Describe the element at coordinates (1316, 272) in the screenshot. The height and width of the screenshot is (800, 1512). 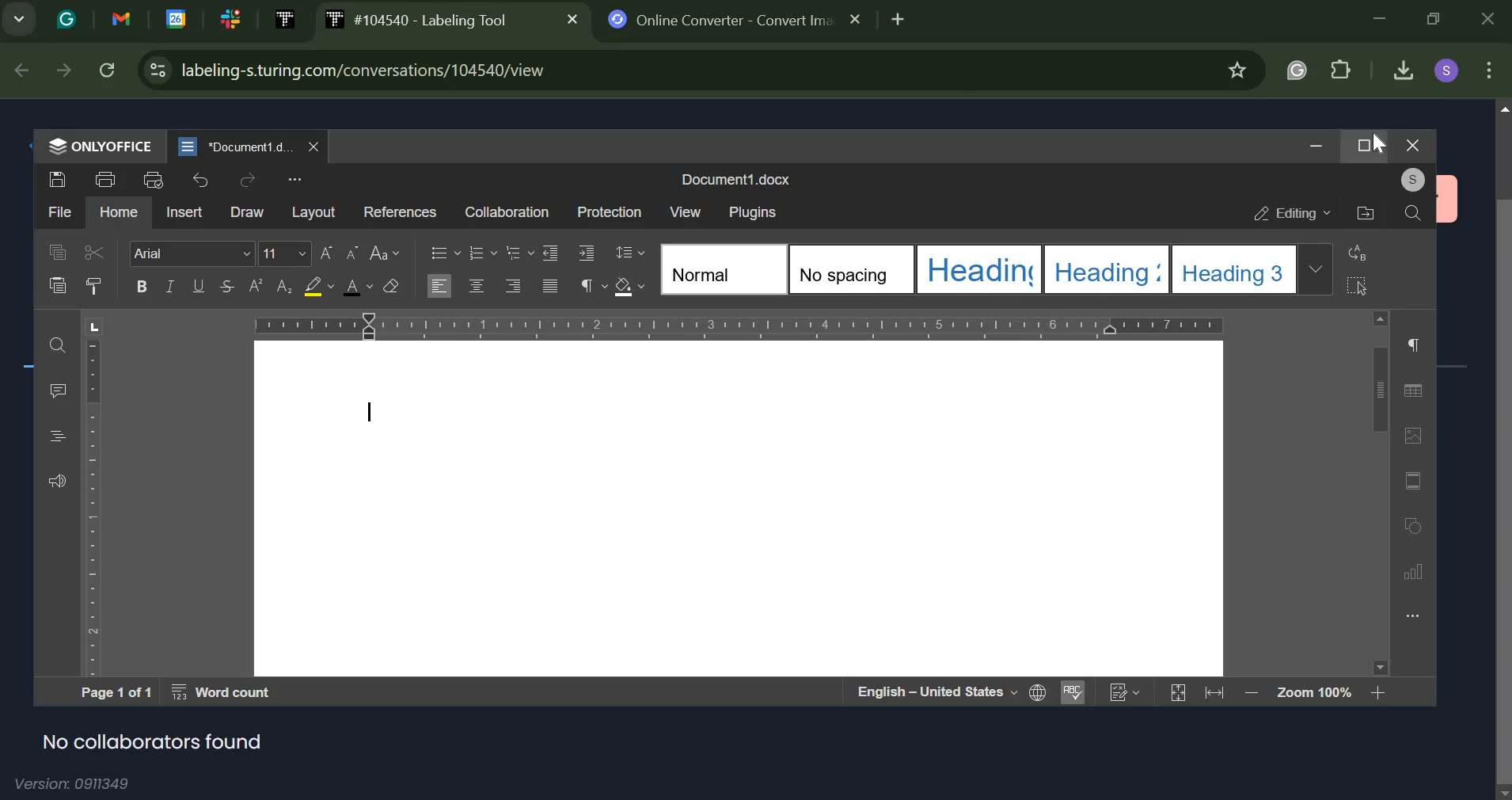
I see `more headings` at that location.